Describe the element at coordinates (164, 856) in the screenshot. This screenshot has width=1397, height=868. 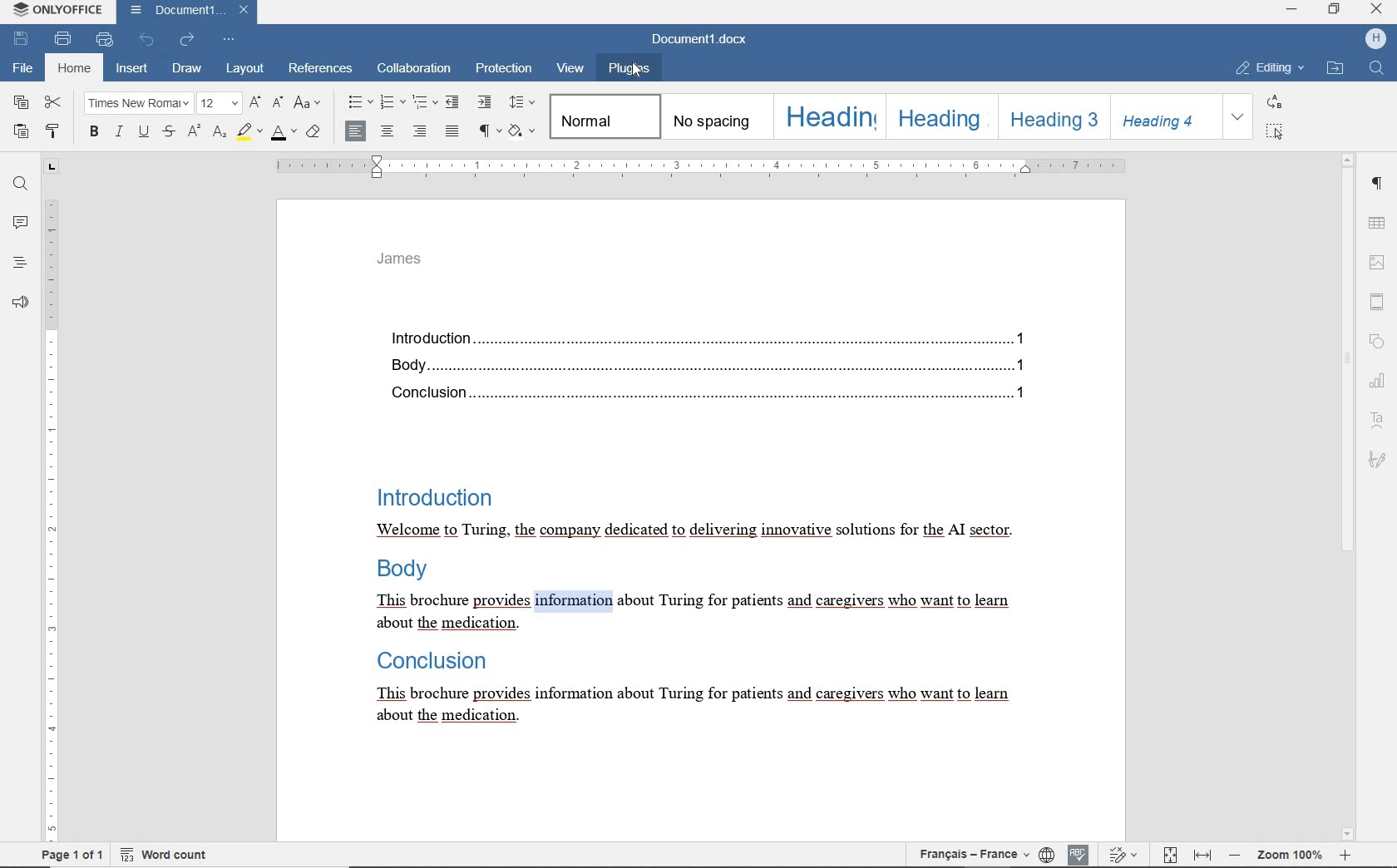
I see `WORD COUNT` at that location.